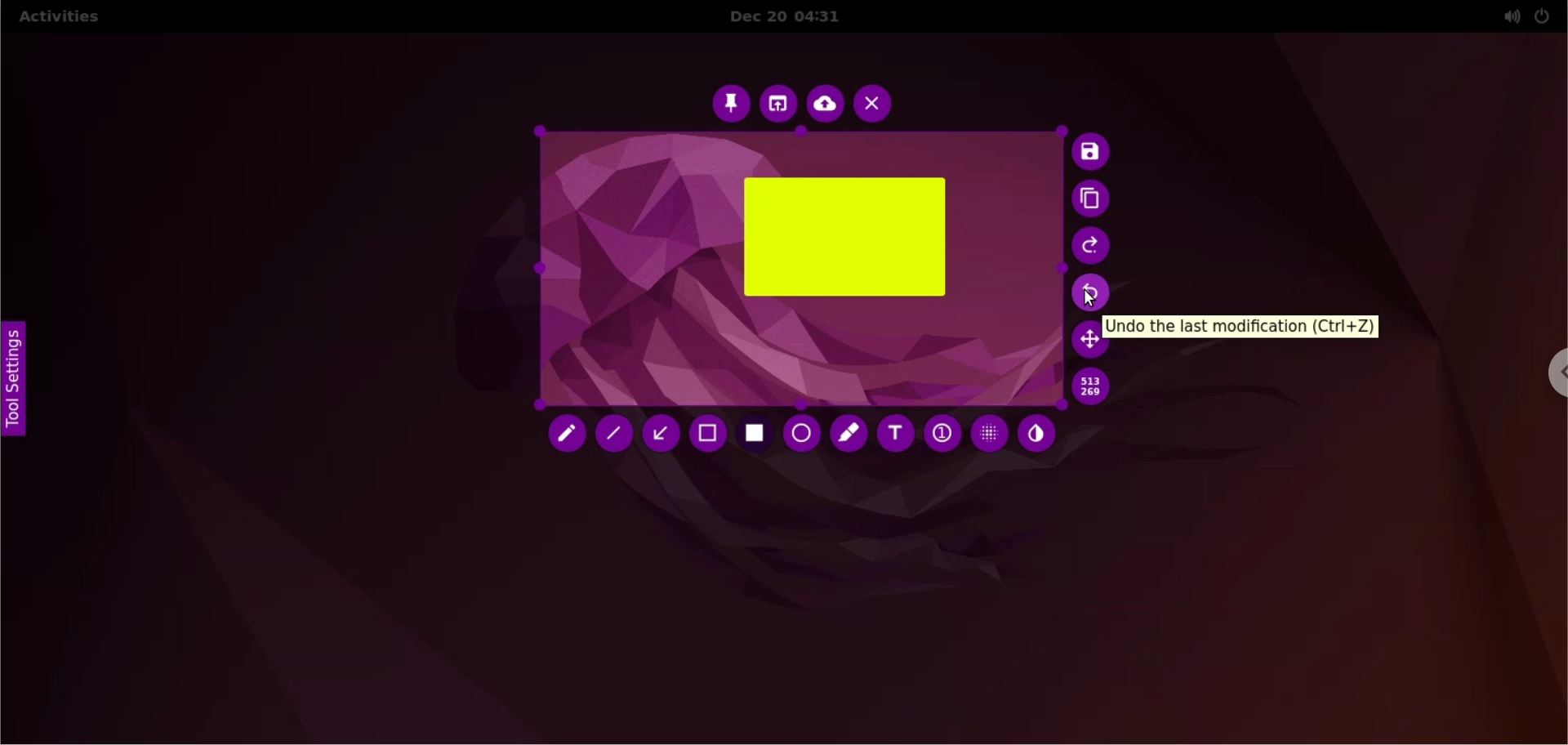 Image resolution: width=1568 pixels, height=745 pixels. What do you see at coordinates (561, 435) in the screenshot?
I see `pencil tool` at bounding box center [561, 435].